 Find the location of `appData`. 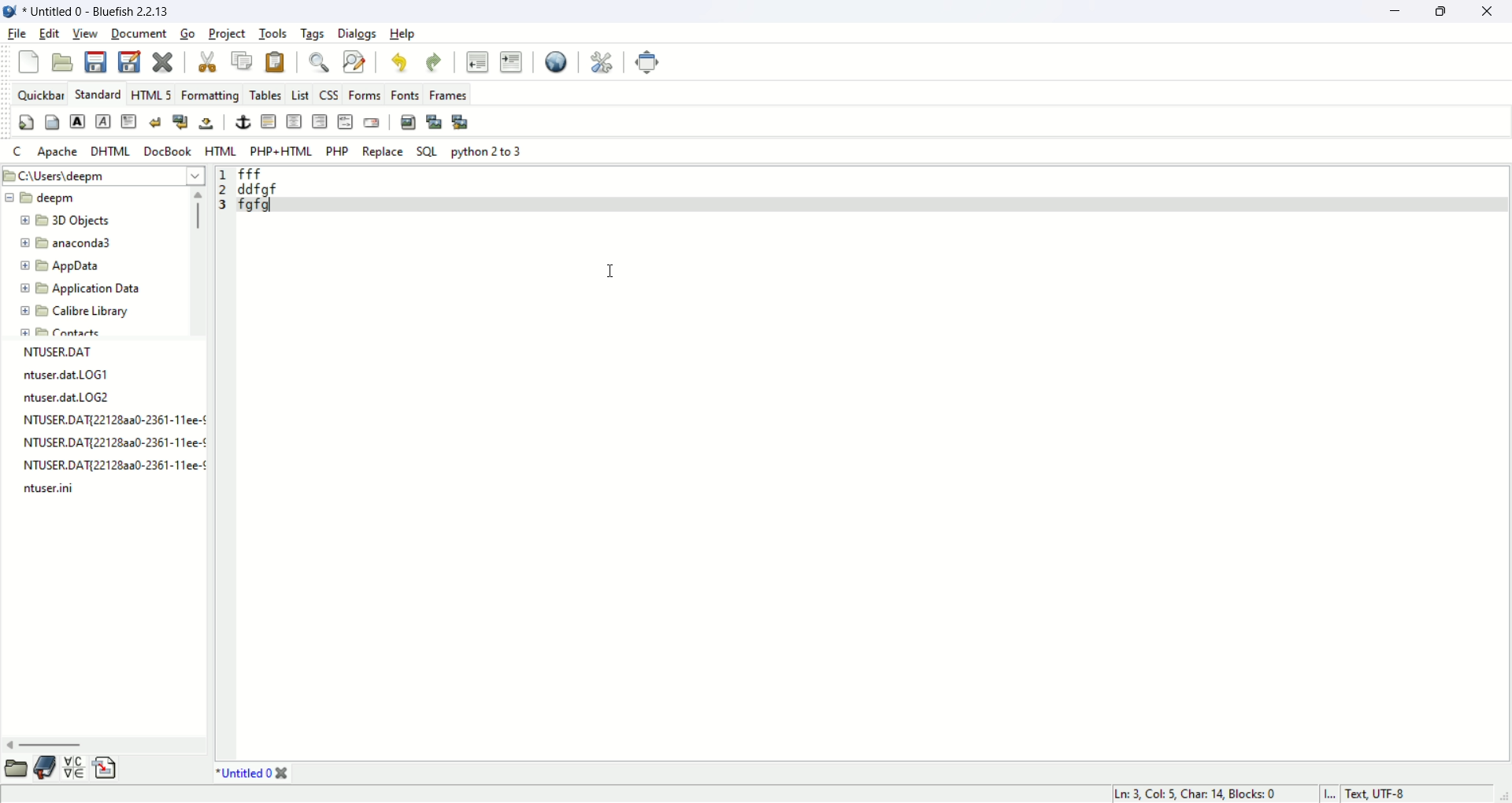

appData is located at coordinates (61, 266).